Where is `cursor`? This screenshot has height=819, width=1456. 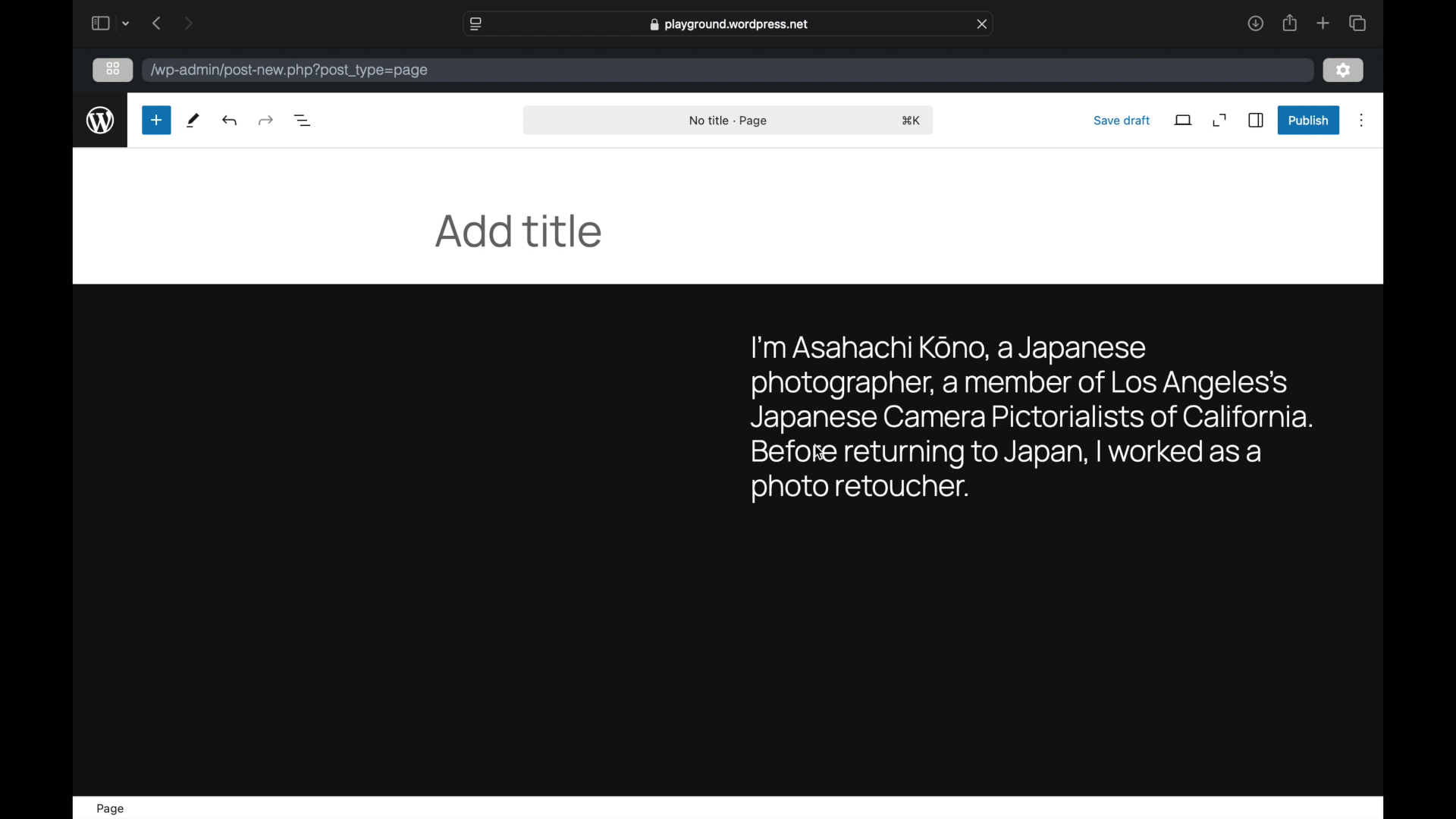
cursor is located at coordinates (820, 453).